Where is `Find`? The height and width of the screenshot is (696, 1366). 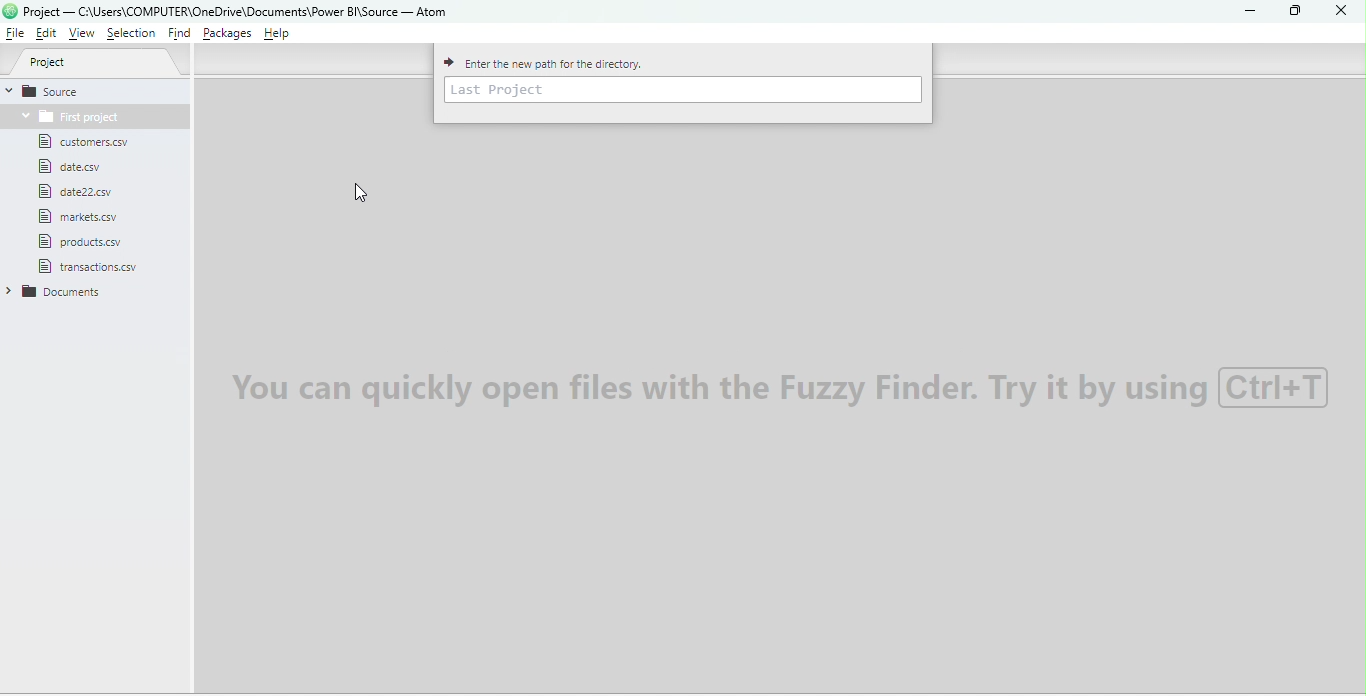
Find is located at coordinates (179, 35).